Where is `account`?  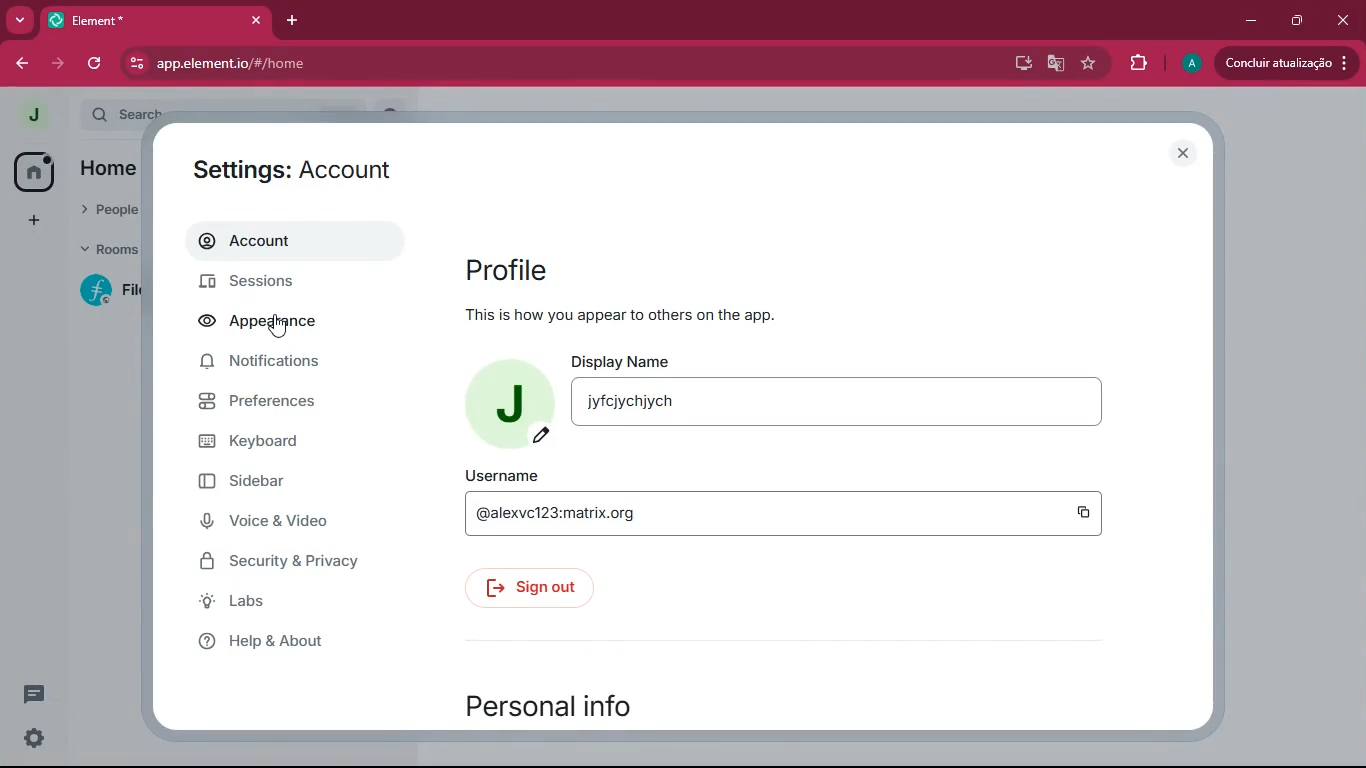 account is located at coordinates (289, 240).